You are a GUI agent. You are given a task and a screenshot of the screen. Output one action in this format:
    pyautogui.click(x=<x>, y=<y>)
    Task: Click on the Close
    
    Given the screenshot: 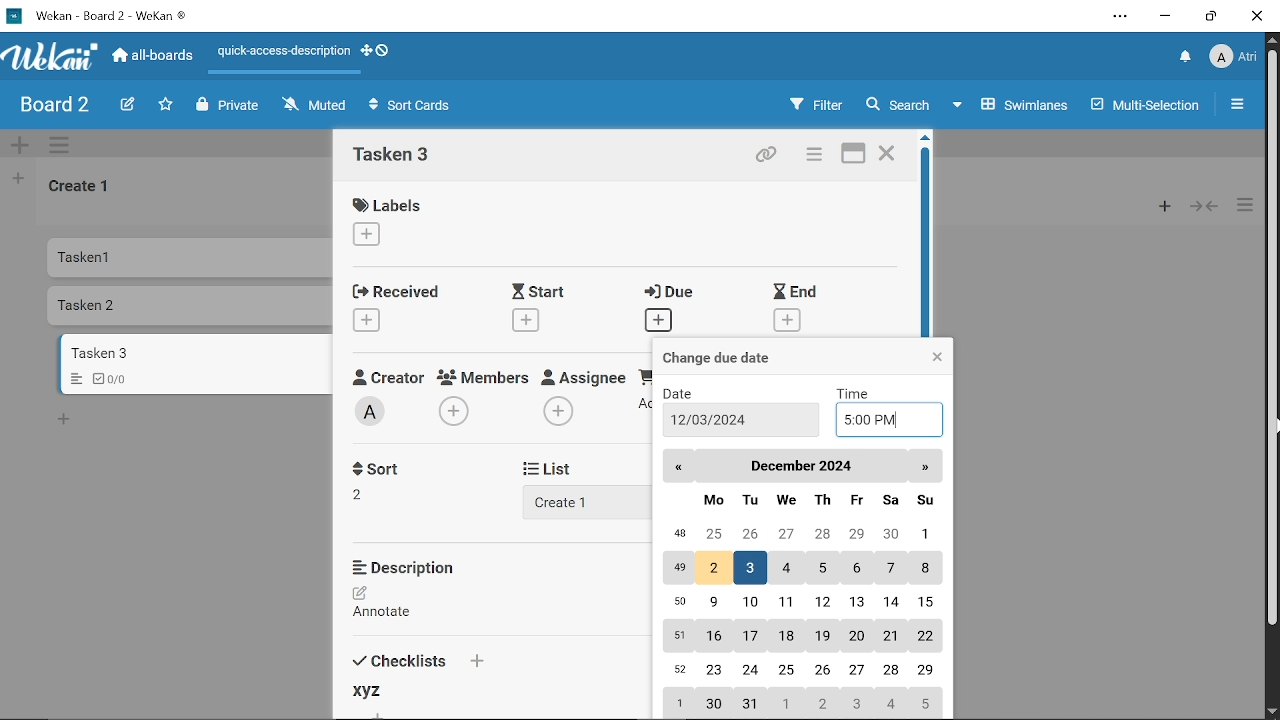 What is the action you would take?
    pyautogui.click(x=1258, y=17)
    